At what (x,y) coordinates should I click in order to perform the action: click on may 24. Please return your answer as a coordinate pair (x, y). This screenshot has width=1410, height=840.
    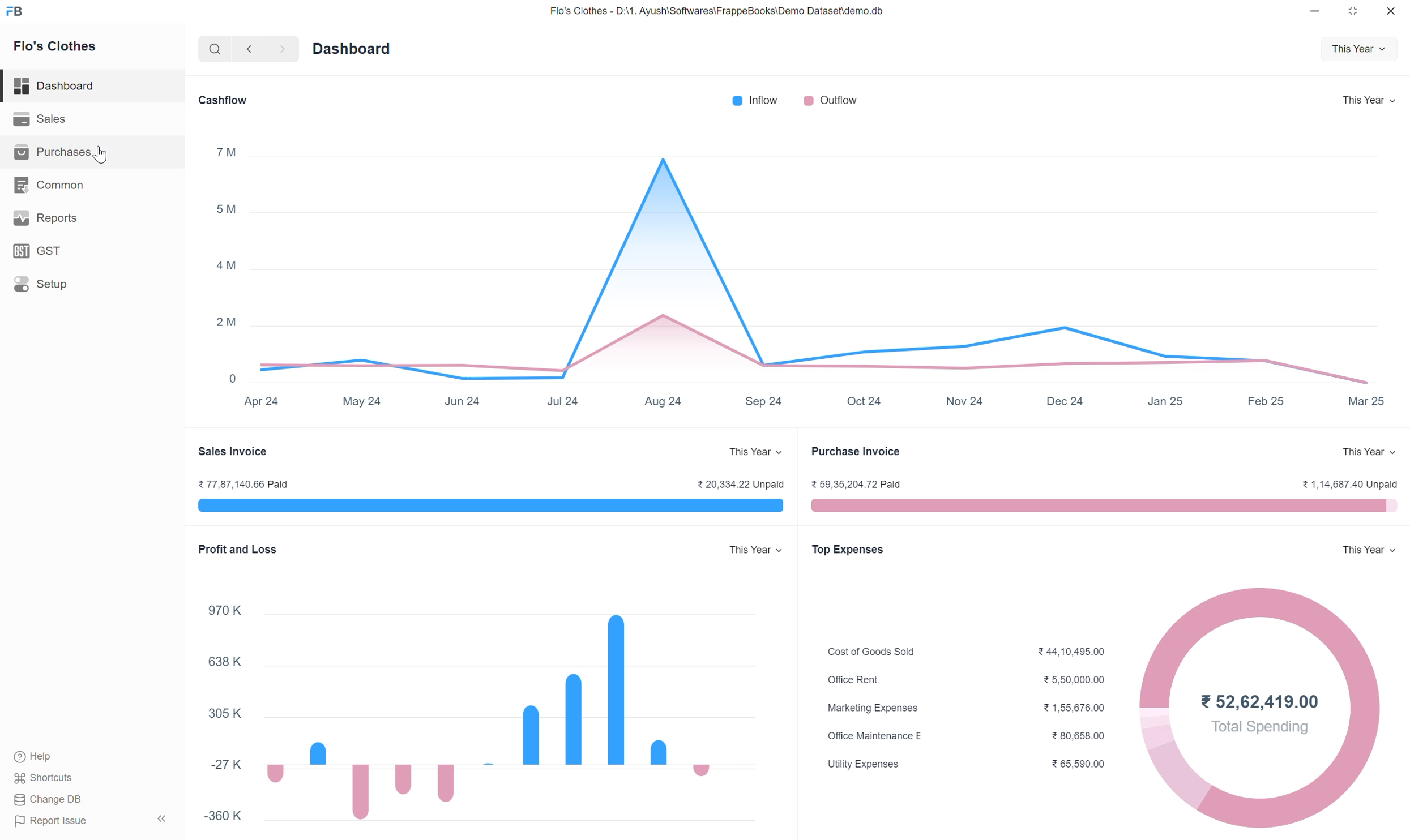
    Looking at the image, I should click on (362, 402).